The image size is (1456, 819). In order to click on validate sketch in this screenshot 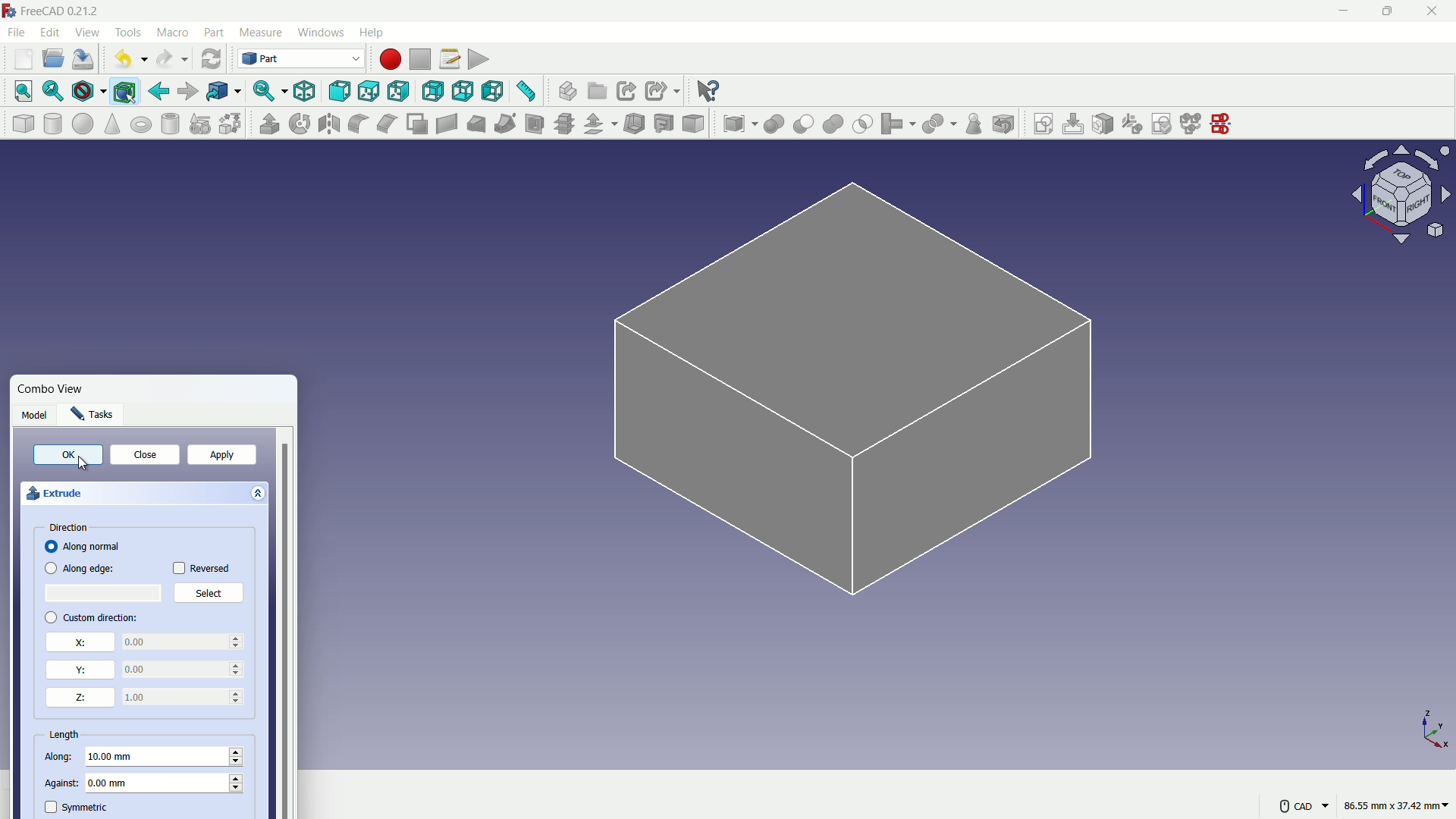, I will do `click(1162, 124)`.